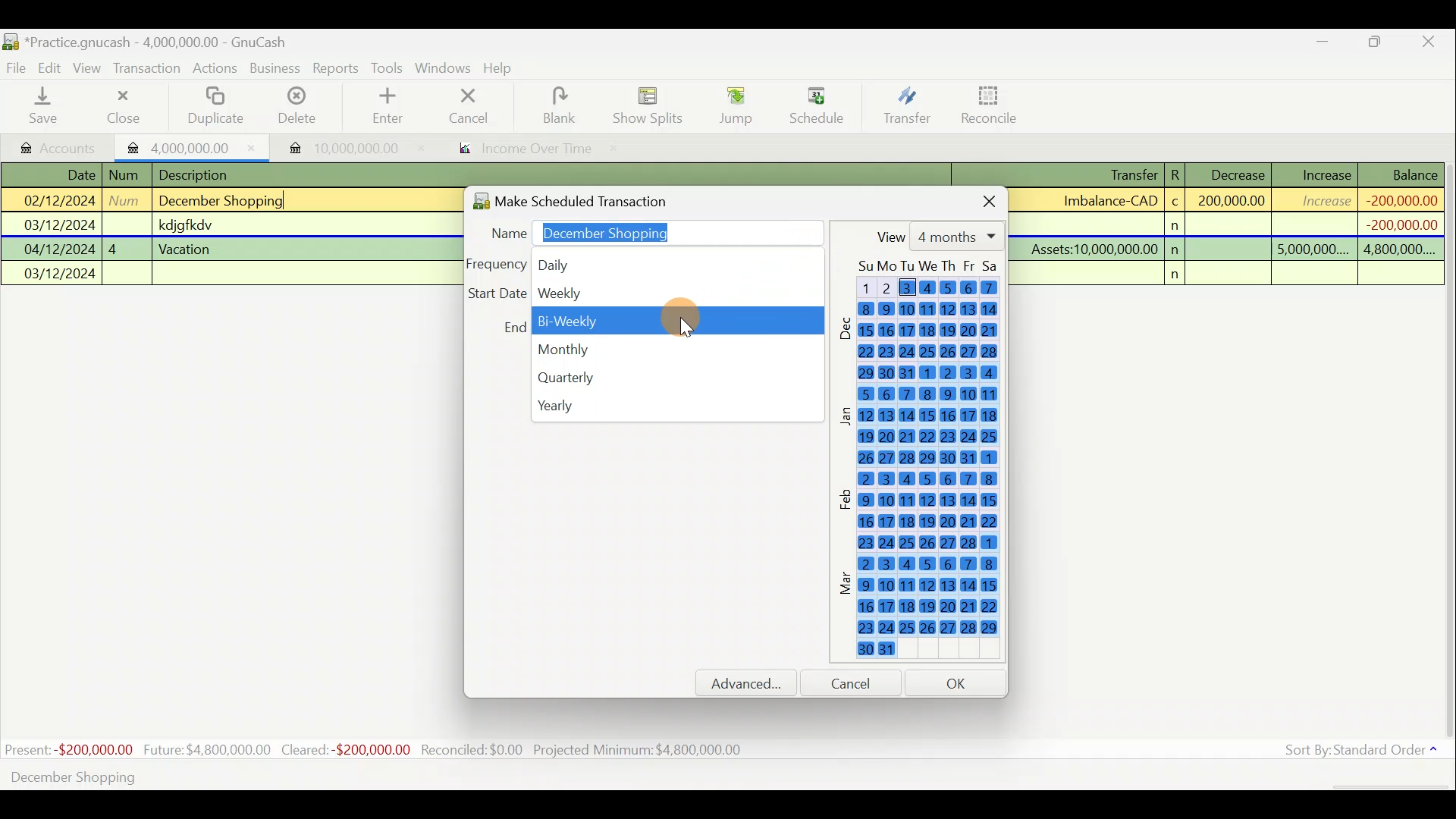 The width and height of the screenshot is (1456, 819). What do you see at coordinates (667, 377) in the screenshot?
I see `Quarterly` at bounding box center [667, 377].